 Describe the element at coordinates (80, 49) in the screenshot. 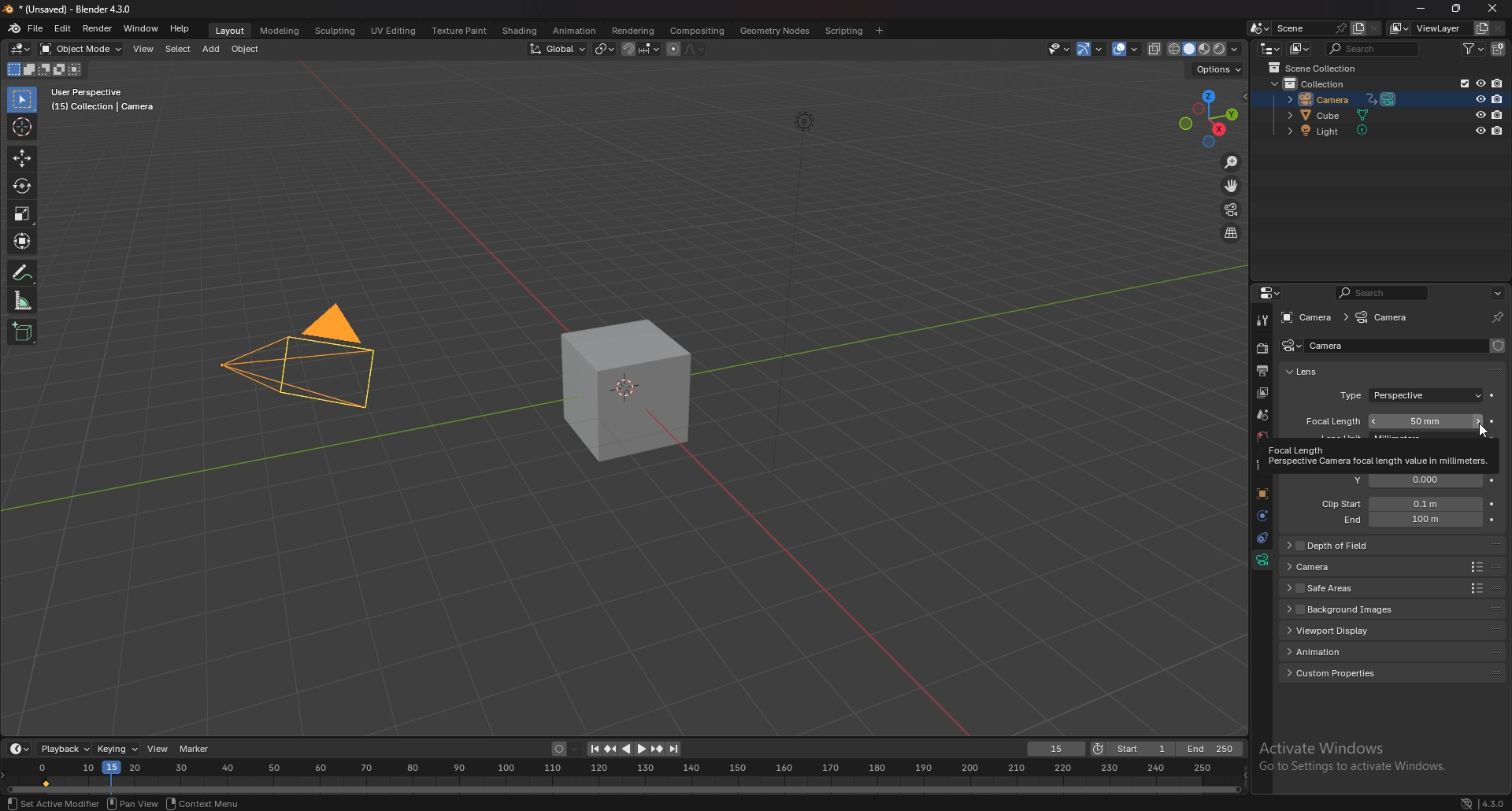

I see `object mode` at that location.